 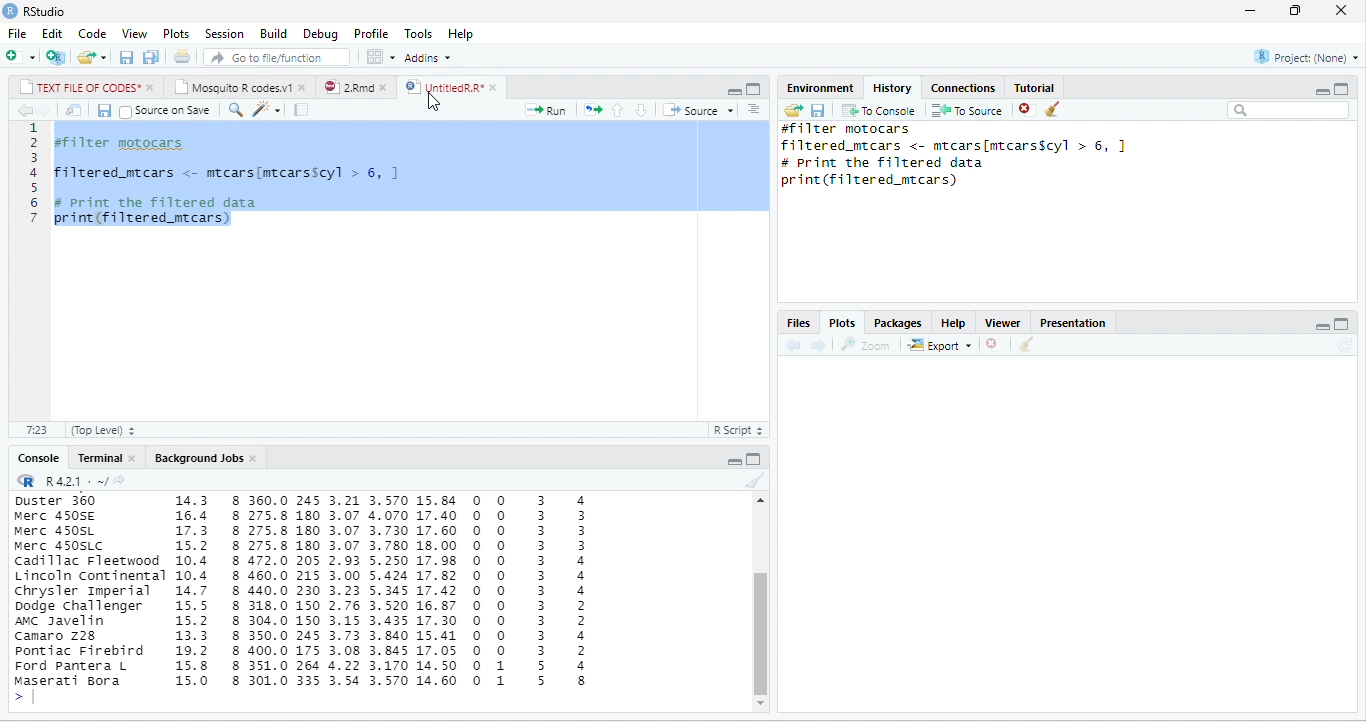 What do you see at coordinates (818, 346) in the screenshot?
I see `forward` at bounding box center [818, 346].